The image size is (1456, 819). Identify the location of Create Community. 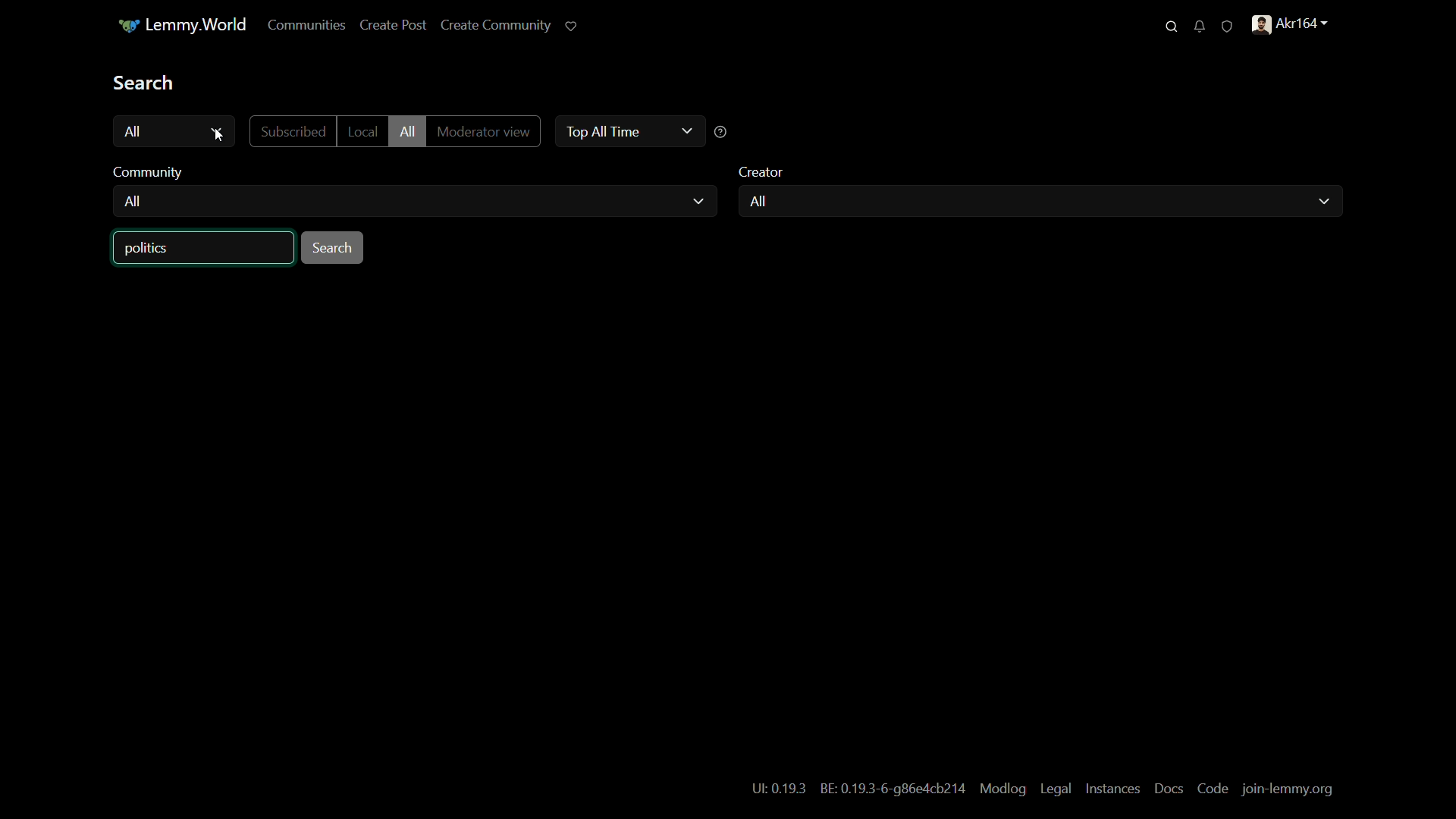
(496, 24).